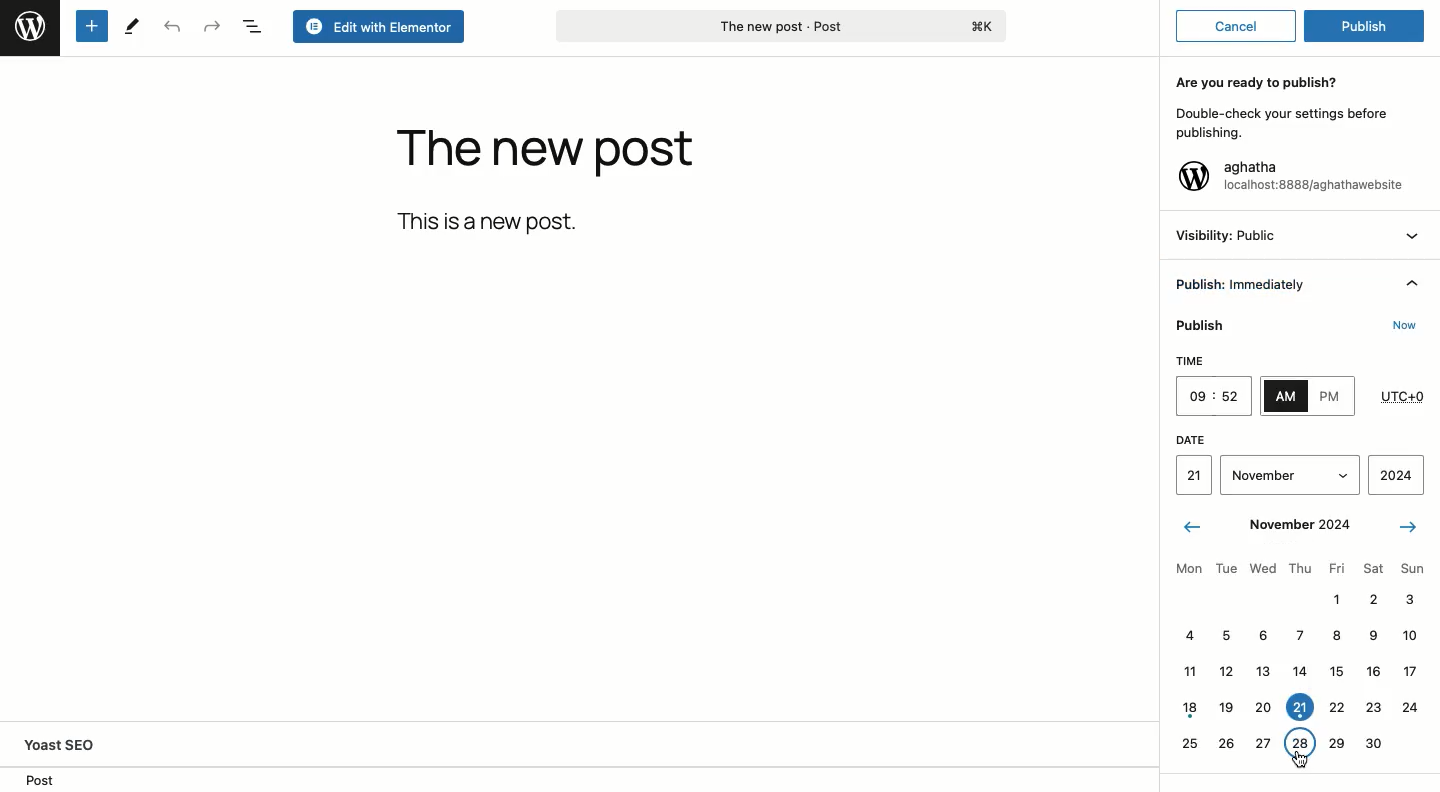 The image size is (1440, 792). What do you see at coordinates (1229, 235) in the screenshot?
I see `Visibility: Public` at bounding box center [1229, 235].